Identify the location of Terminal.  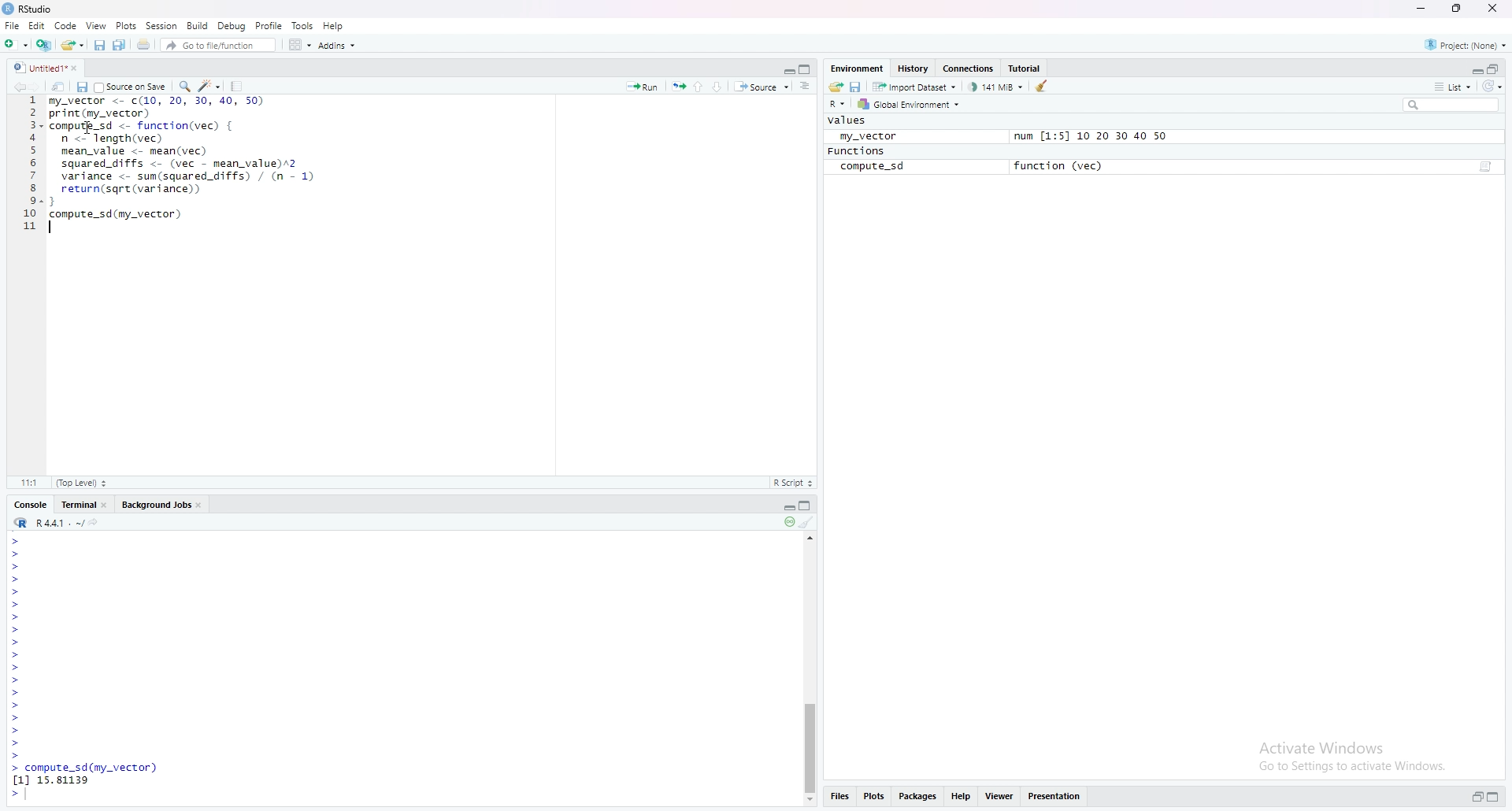
(84, 504).